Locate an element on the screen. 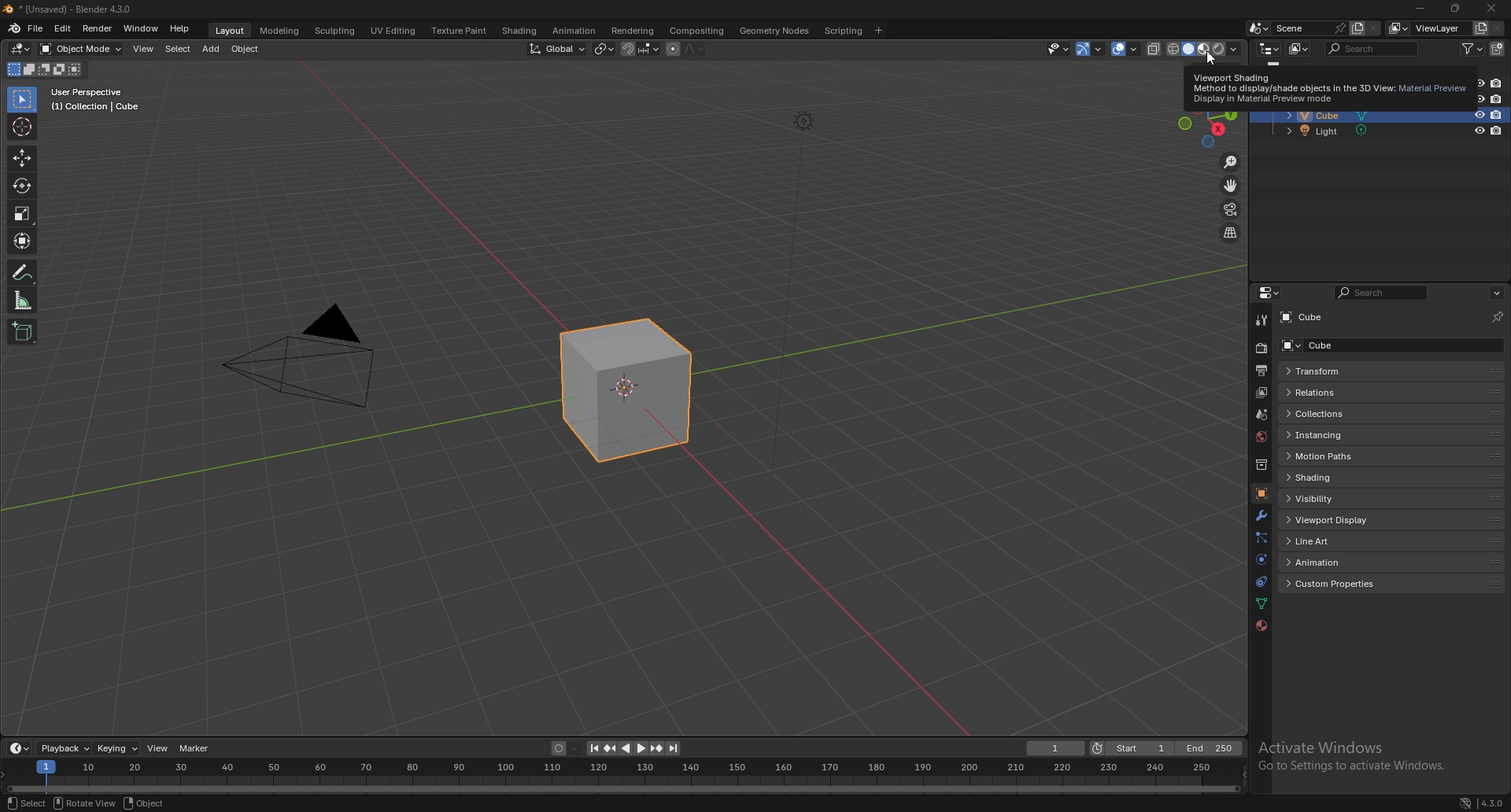 Image resolution: width=1511 pixels, height=812 pixels. rotate is located at coordinates (22, 186).